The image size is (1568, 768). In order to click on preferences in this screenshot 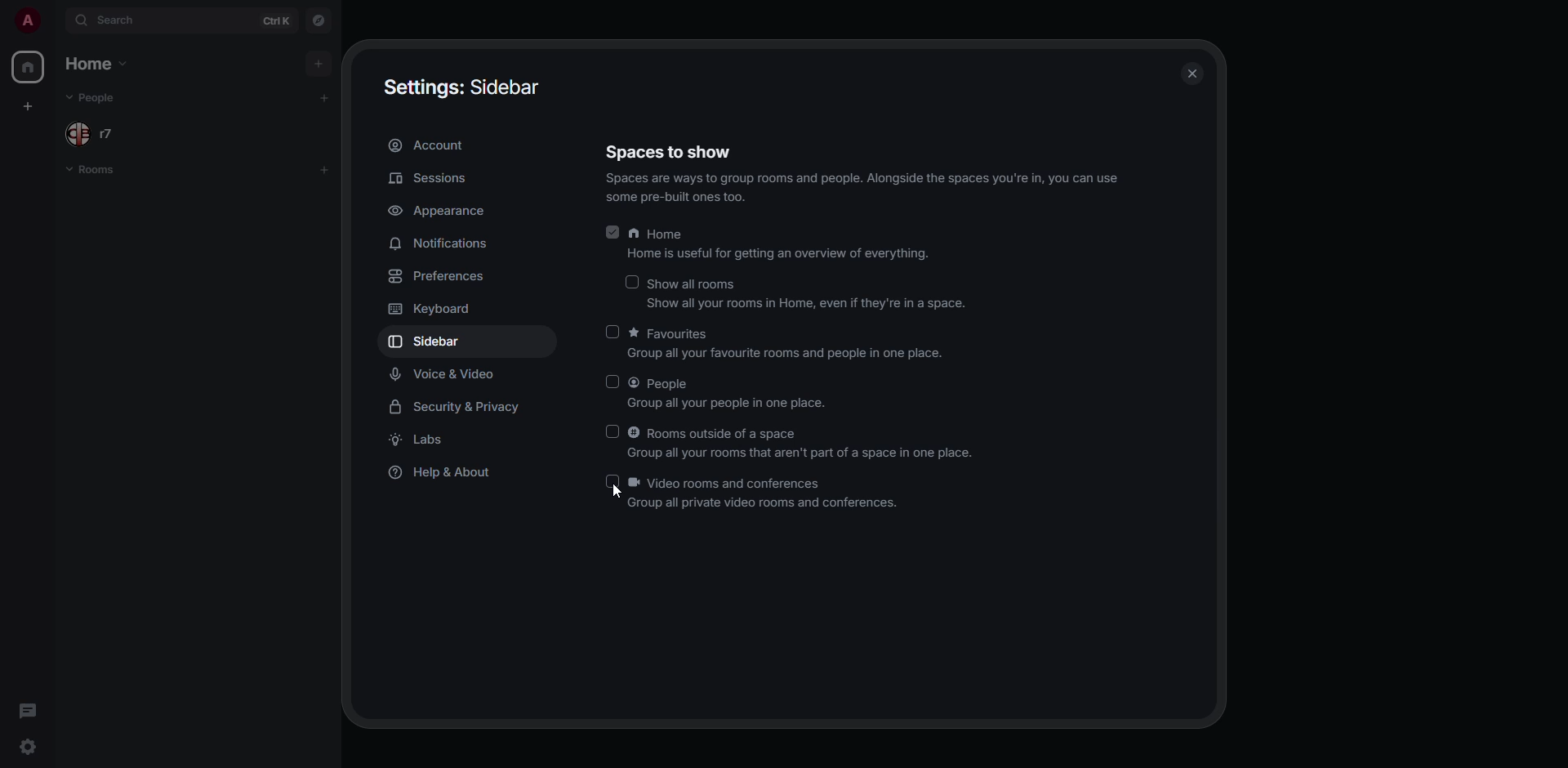, I will do `click(436, 276)`.